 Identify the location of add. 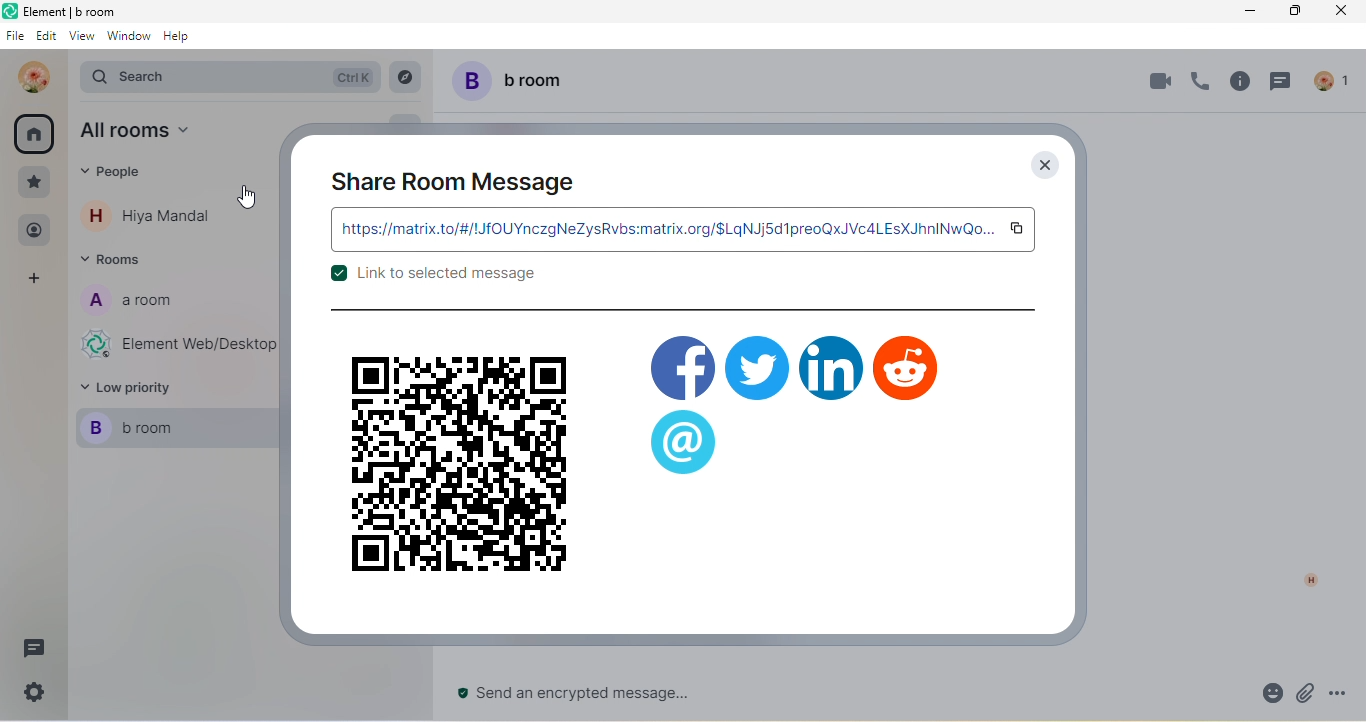
(37, 280).